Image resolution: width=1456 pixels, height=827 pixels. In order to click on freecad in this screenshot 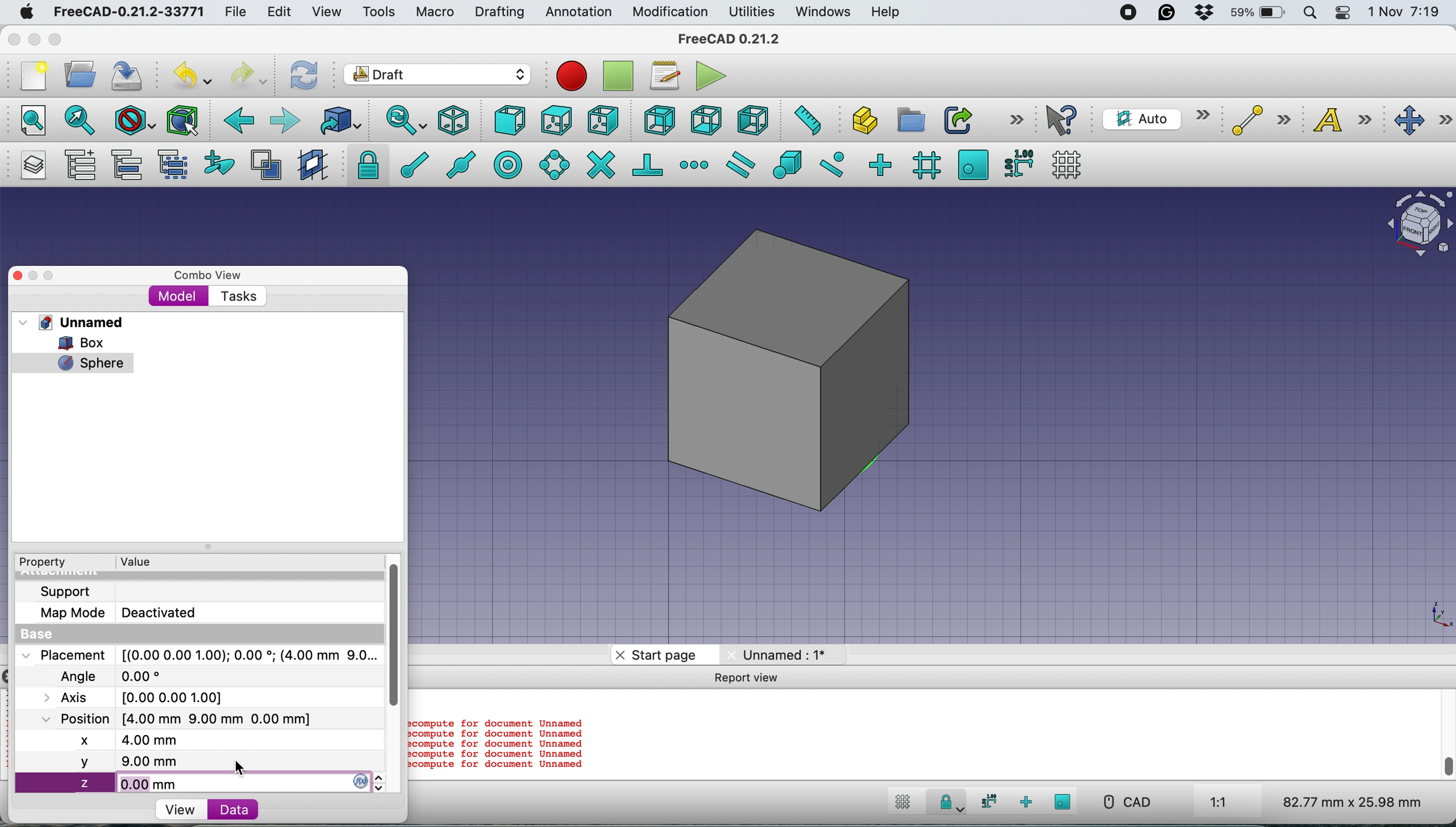, I will do `click(128, 12)`.